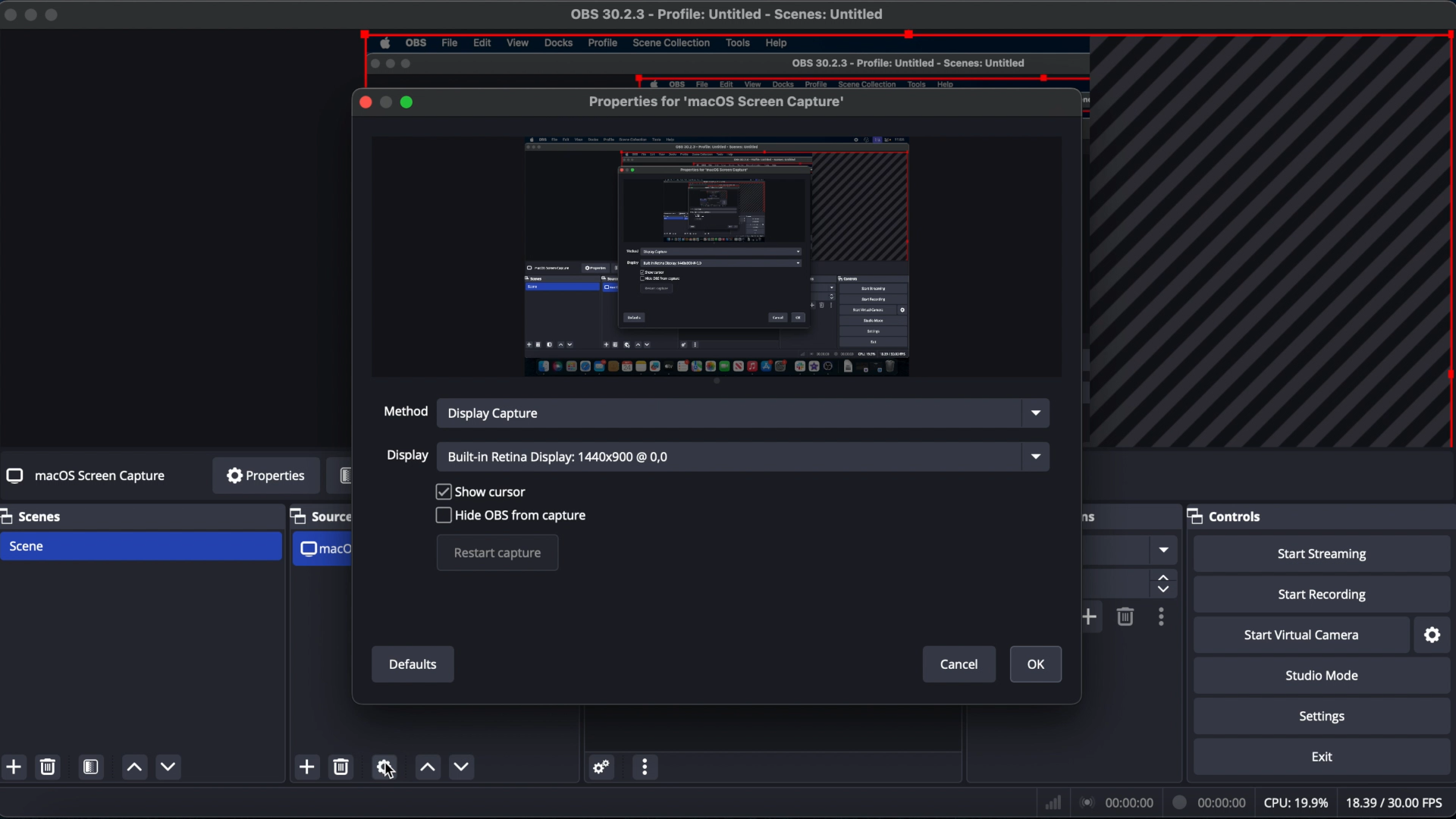  Describe the element at coordinates (907, 62) in the screenshot. I see `OBS 30.2.3 - Profile: Untitled - Scenes: Untitled` at that location.